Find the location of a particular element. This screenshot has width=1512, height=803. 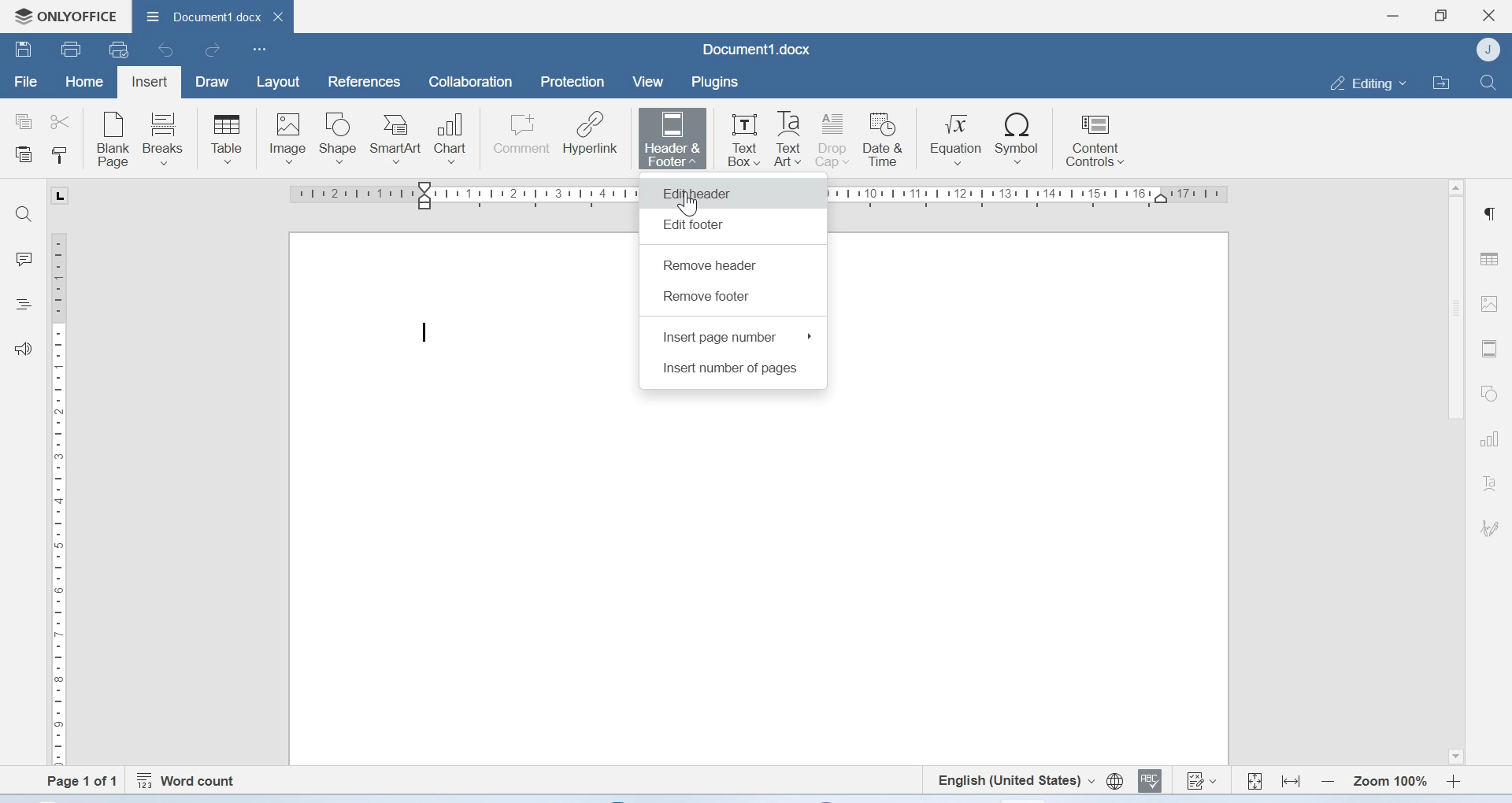

Text is located at coordinates (1489, 483).